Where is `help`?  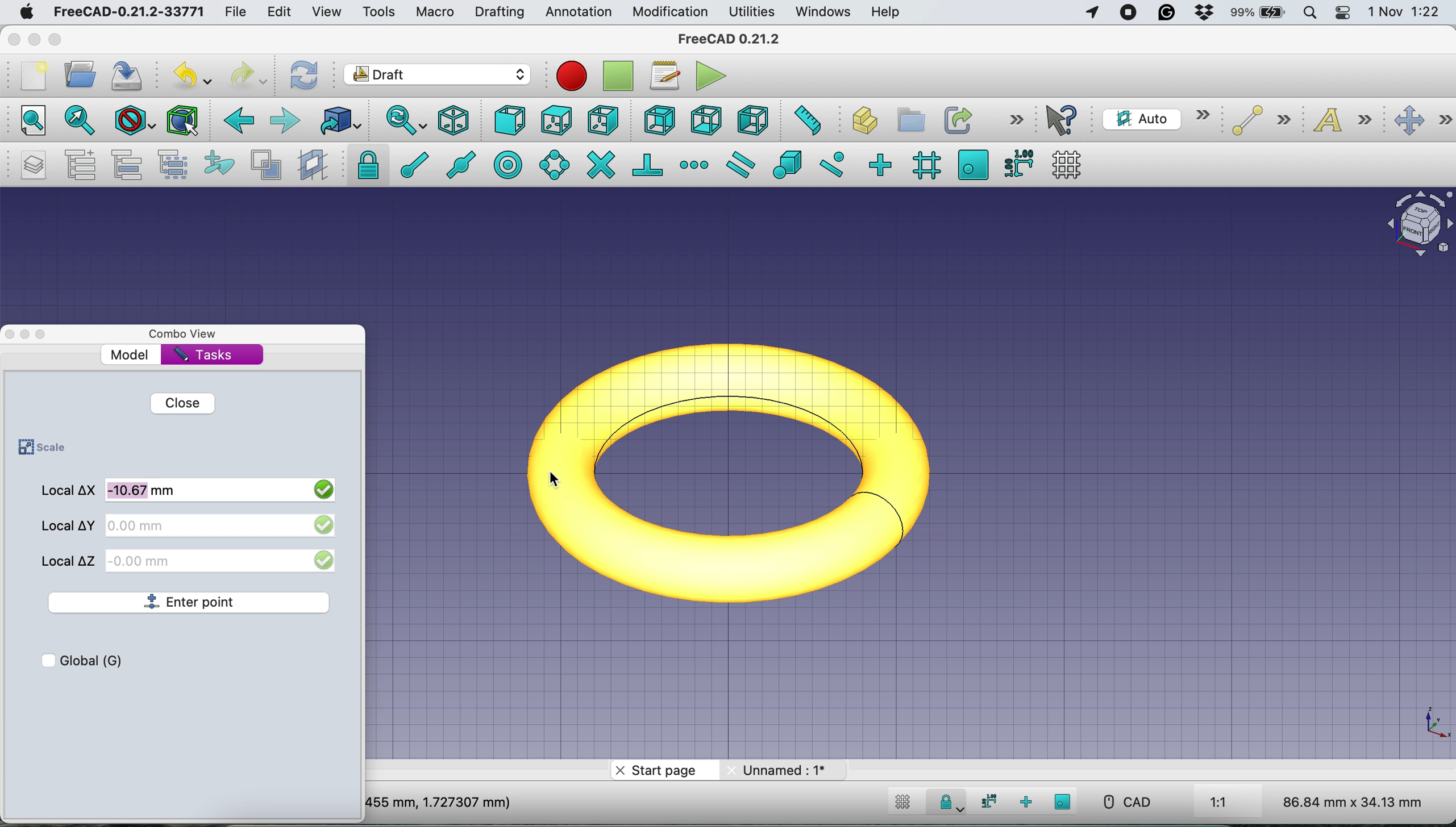
help is located at coordinates (883, 12).